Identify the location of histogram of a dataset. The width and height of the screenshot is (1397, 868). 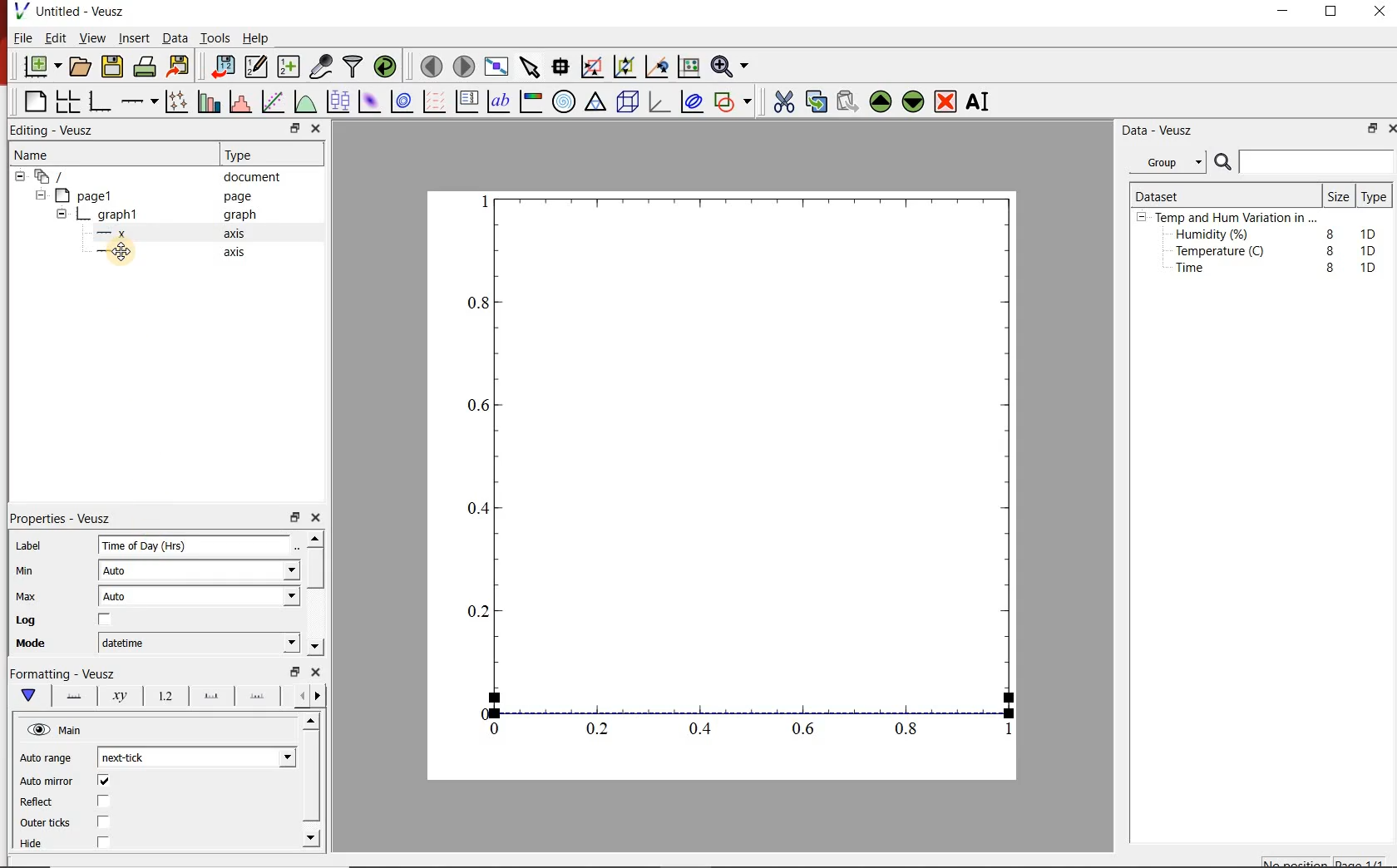
(243, 101).